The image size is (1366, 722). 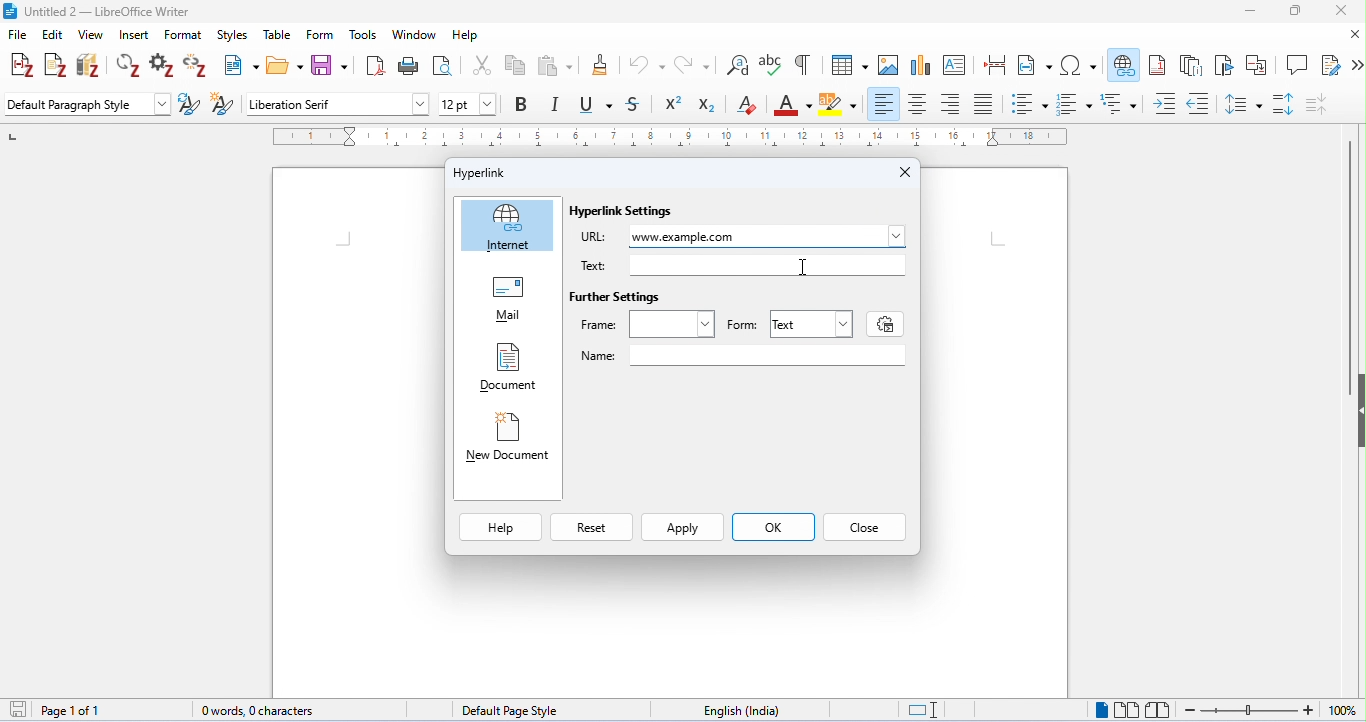 What do you see at coordinates (921, 64) in the screenshot?
I see `insert chart` at bounding box center [921, 64].